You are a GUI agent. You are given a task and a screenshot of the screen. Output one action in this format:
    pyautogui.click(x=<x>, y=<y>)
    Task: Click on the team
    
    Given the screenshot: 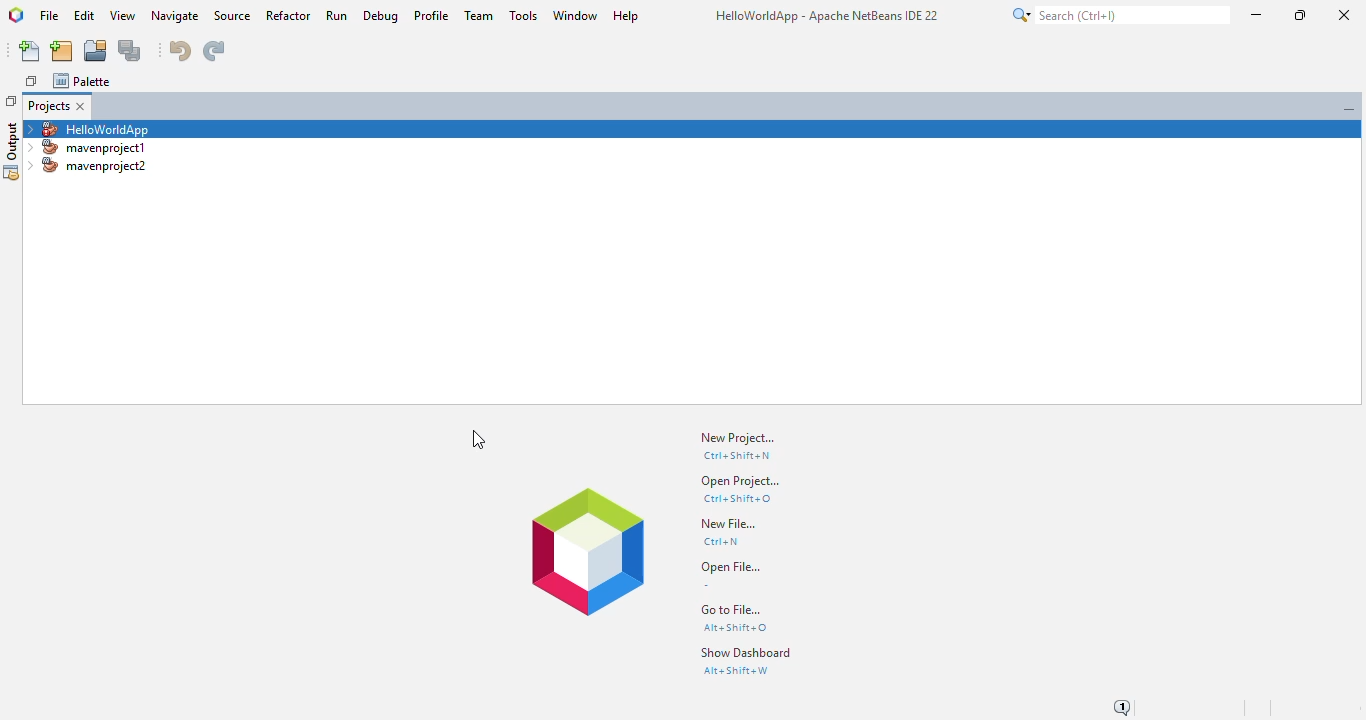 What is the action you would take?
    pyautogui.click(x=481, y=15)
    